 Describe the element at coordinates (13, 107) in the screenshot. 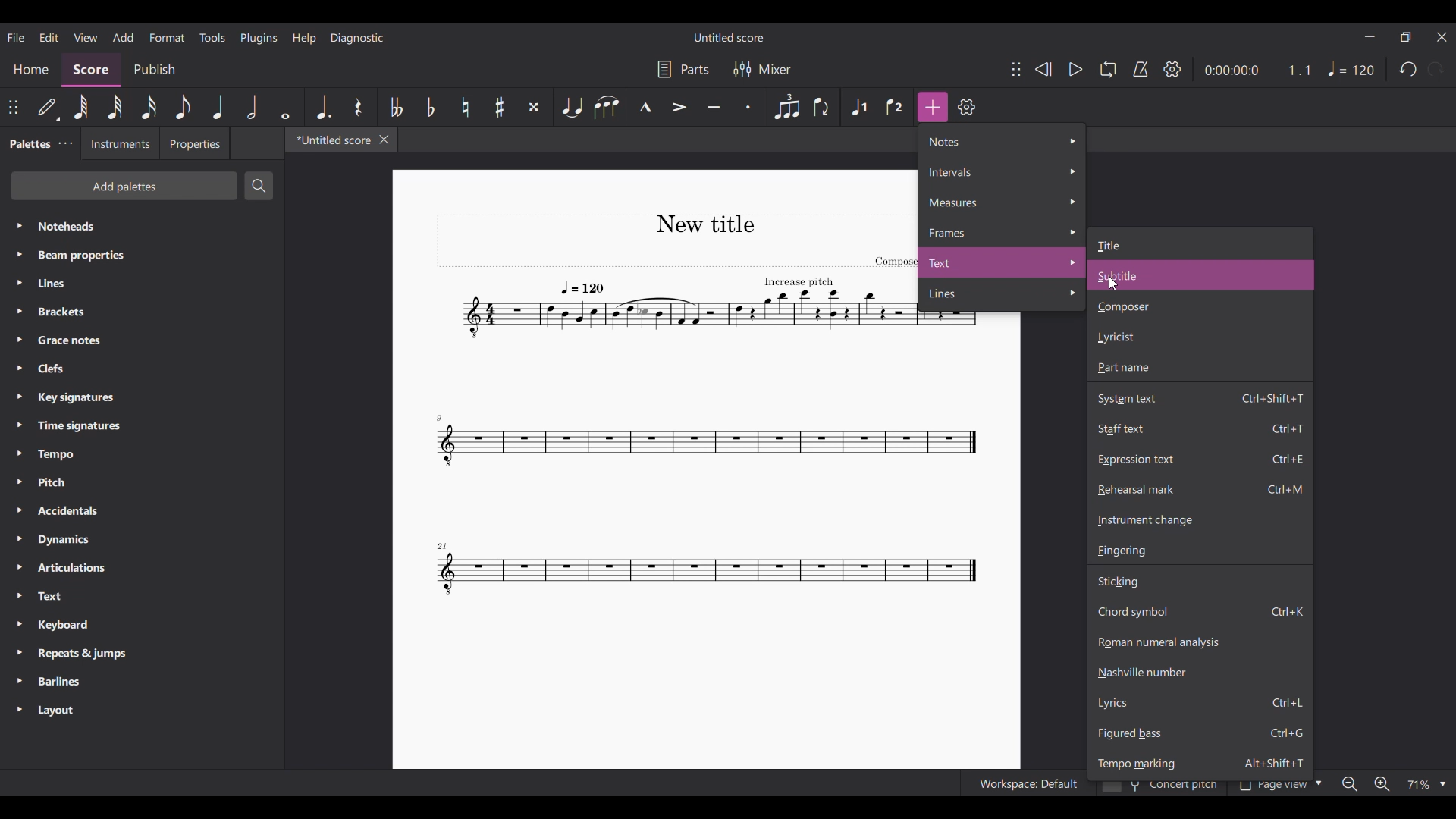

I see `Change position` at that location.